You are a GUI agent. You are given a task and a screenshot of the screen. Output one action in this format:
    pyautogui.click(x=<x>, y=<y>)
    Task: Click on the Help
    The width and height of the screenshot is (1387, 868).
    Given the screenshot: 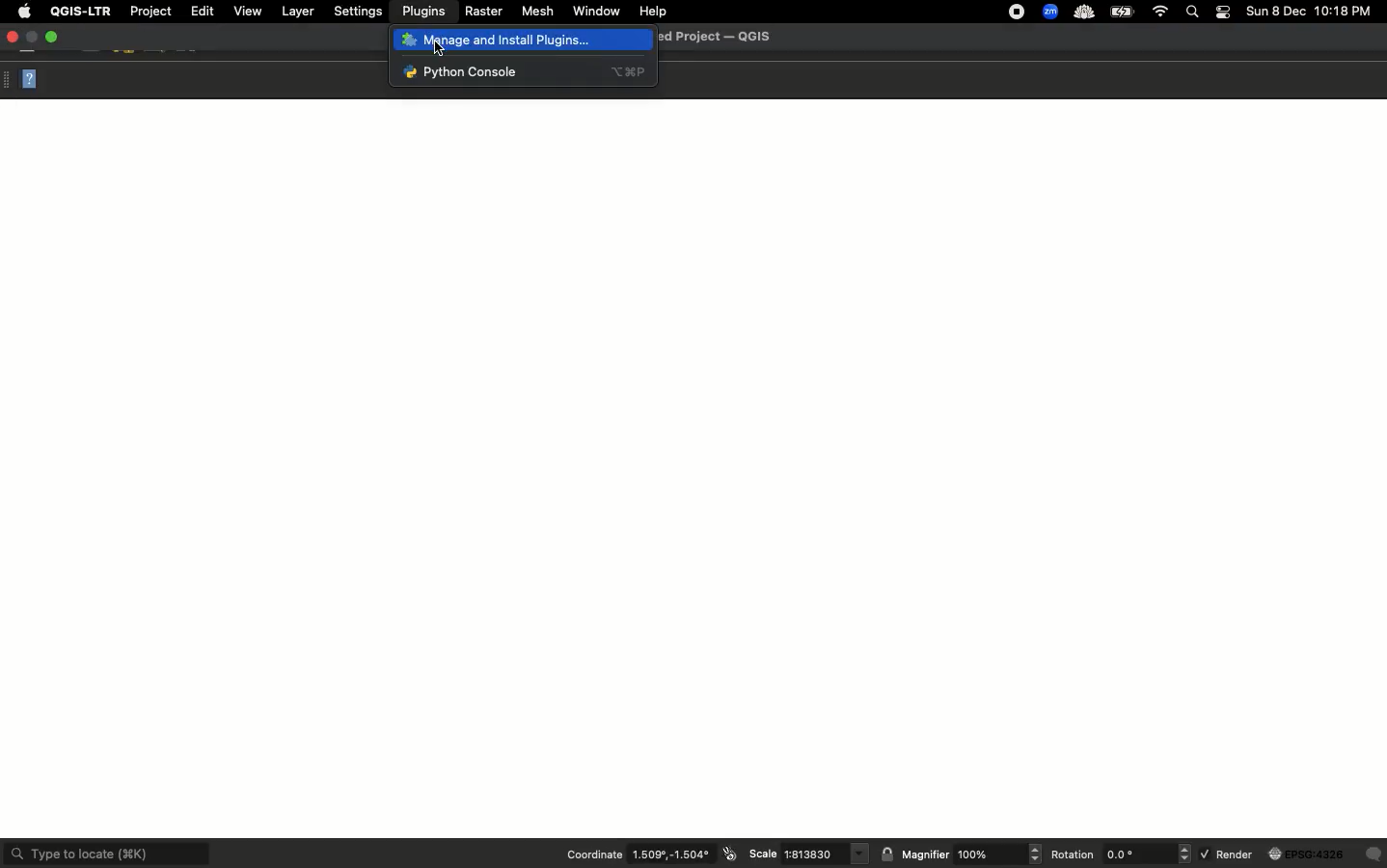 What is the action you would take?
    pyautogui.click(x=24, y=79)
    